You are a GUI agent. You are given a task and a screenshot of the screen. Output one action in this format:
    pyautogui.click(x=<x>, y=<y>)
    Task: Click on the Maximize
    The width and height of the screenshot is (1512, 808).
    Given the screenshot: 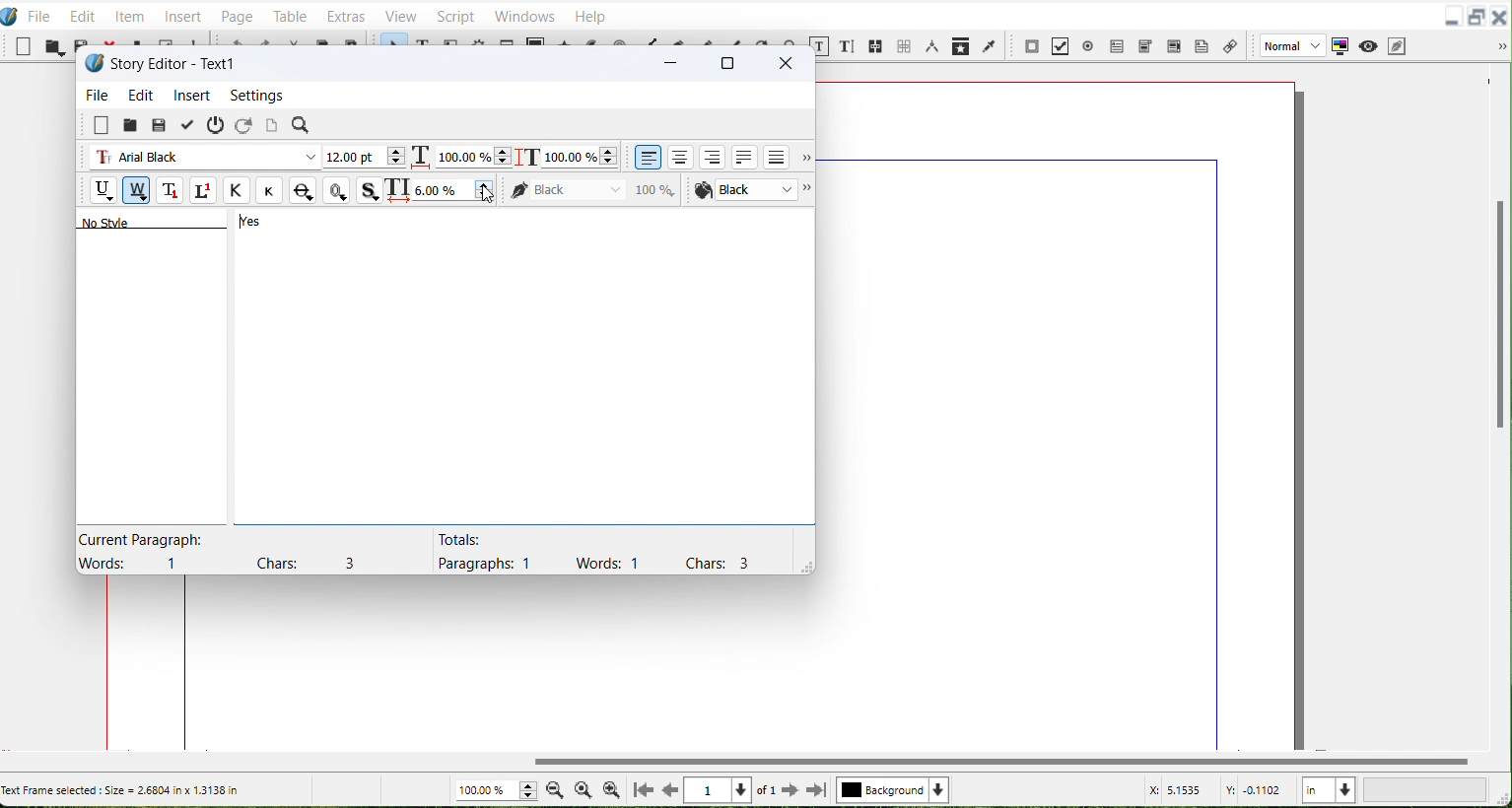 What is the action you would take?
    pyautogui.click(x=725, y=61)
    